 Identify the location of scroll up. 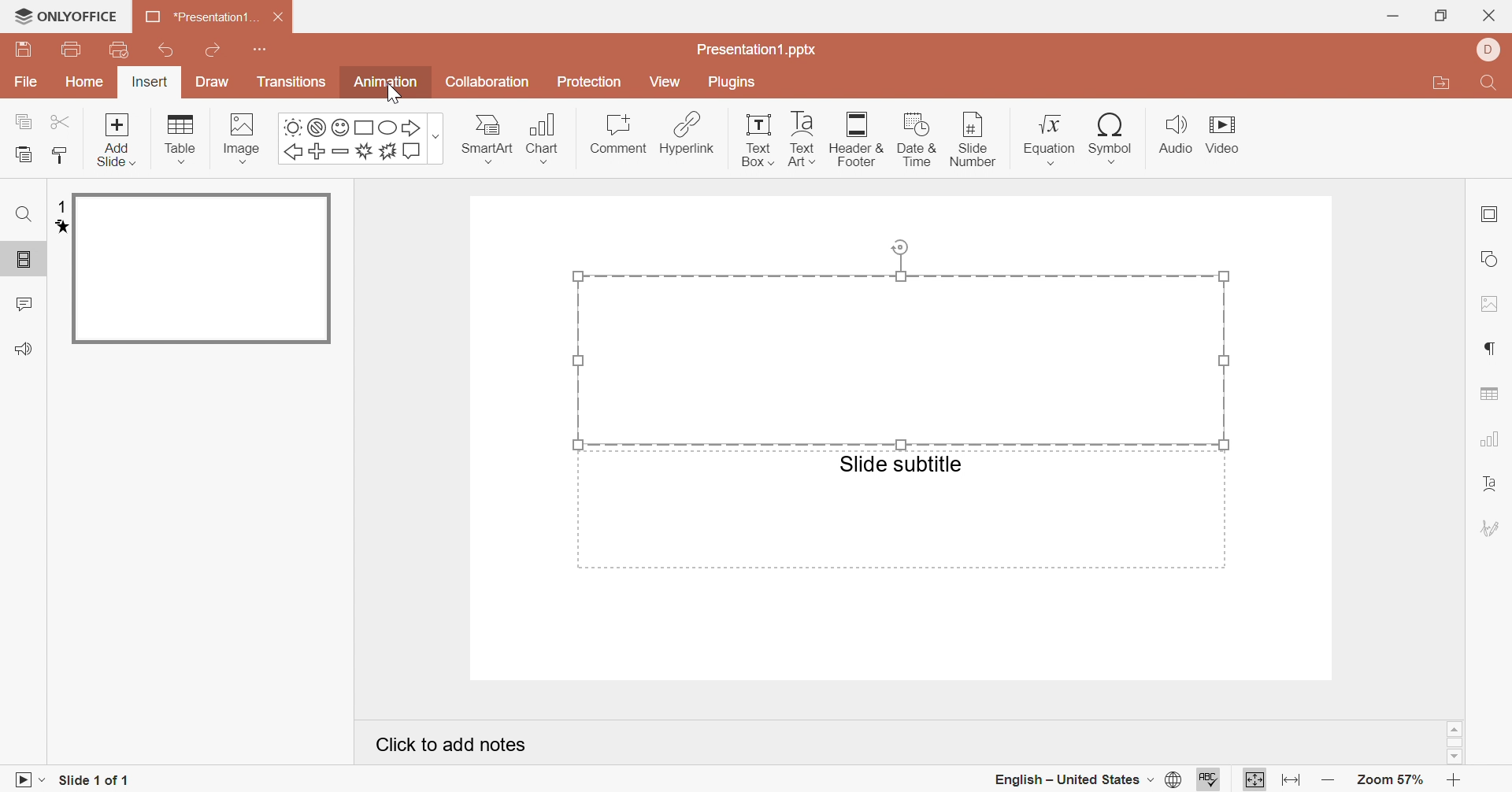
(1455, 729).